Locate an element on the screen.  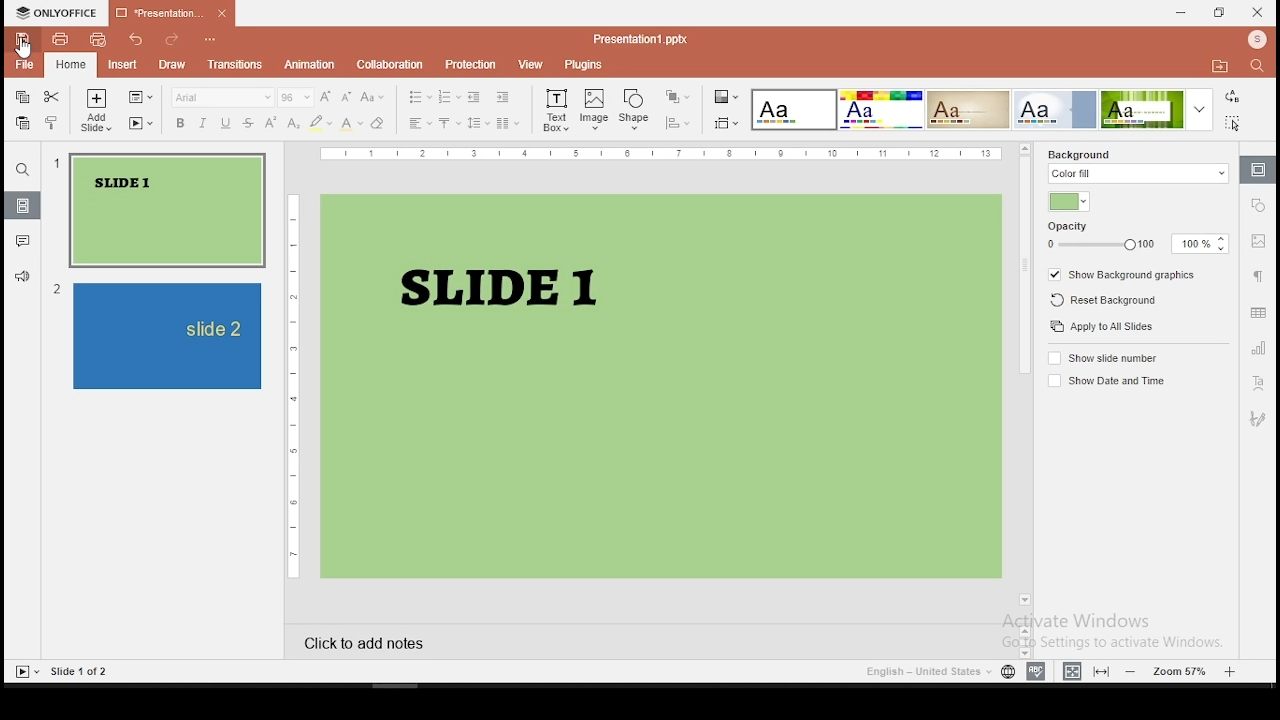
copy is located at coordinates (22, 95).